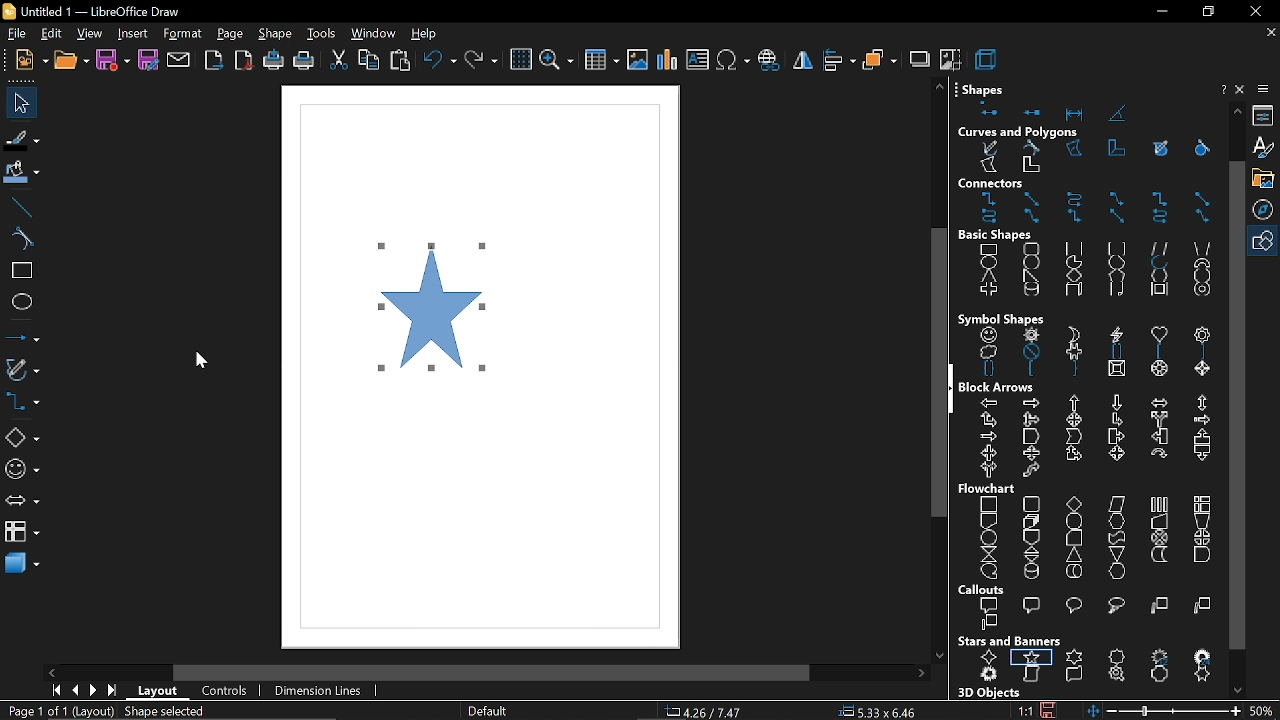 The height and width of the screenshot is (720, 1280). Describe the element at coordinates (920, 61) in the screenshot. I see `shadow` at that location.